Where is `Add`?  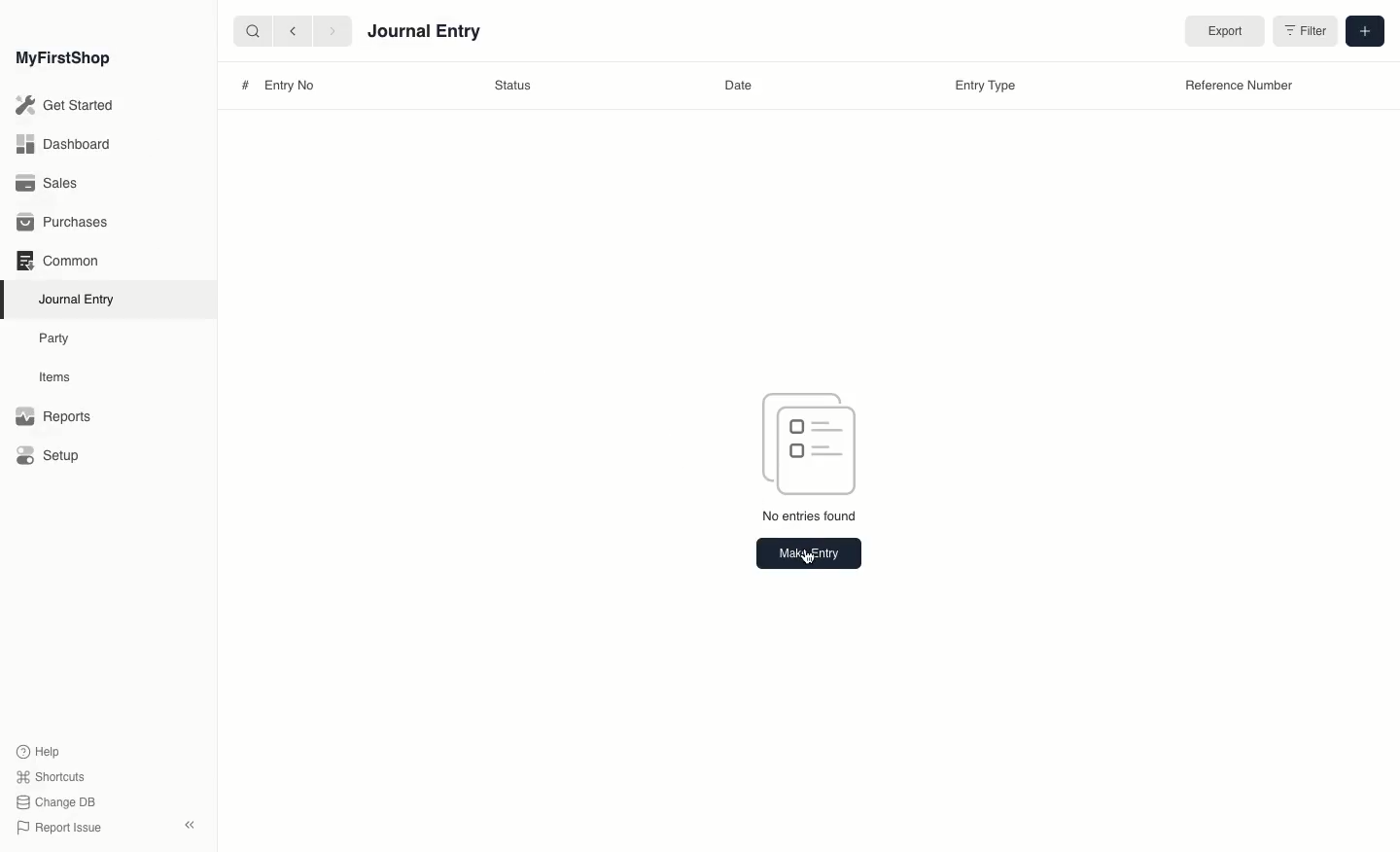
Add is located at coordinates (1364, 32).